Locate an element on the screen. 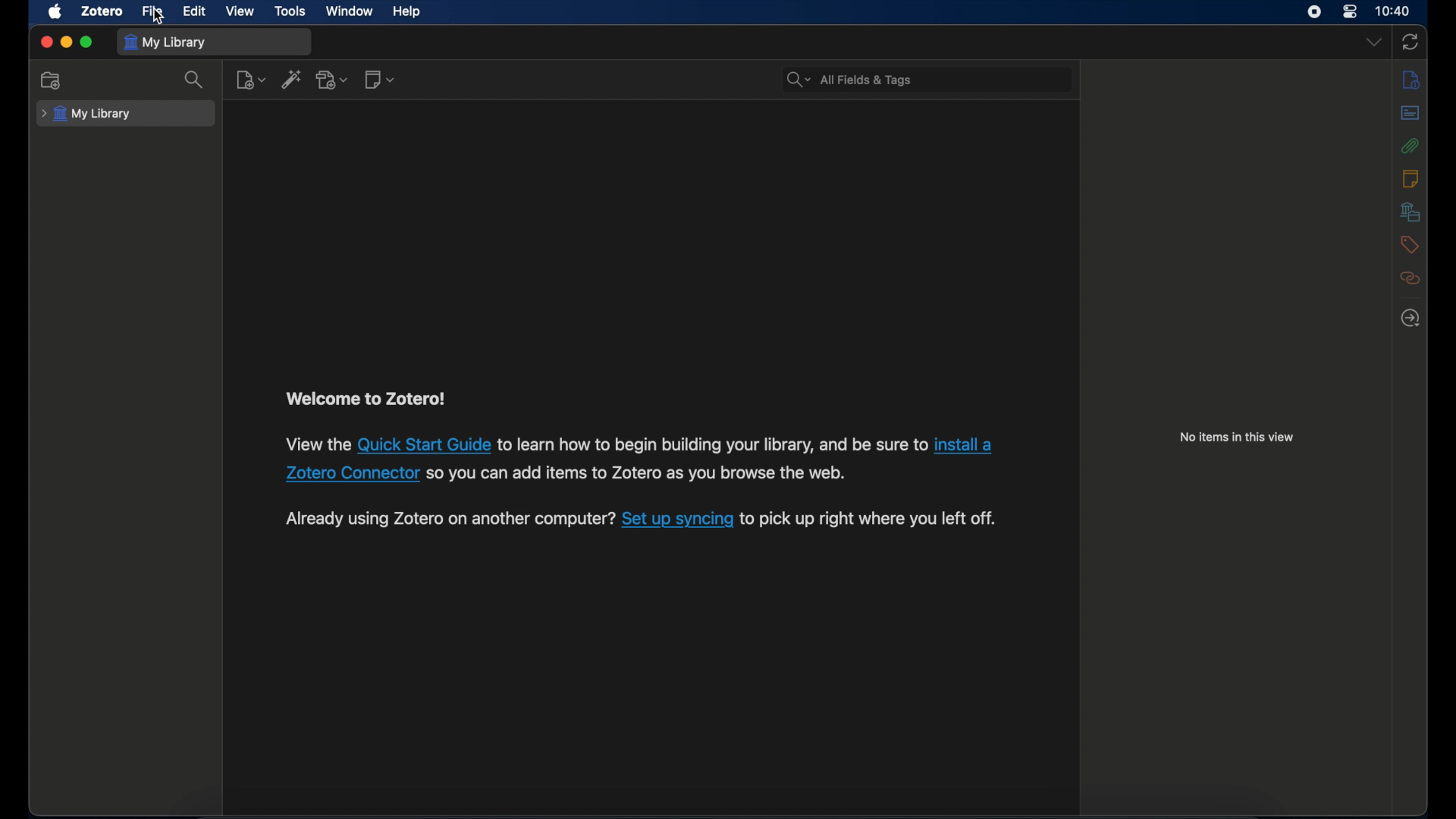  search bar is located at coordinates (849, 80).